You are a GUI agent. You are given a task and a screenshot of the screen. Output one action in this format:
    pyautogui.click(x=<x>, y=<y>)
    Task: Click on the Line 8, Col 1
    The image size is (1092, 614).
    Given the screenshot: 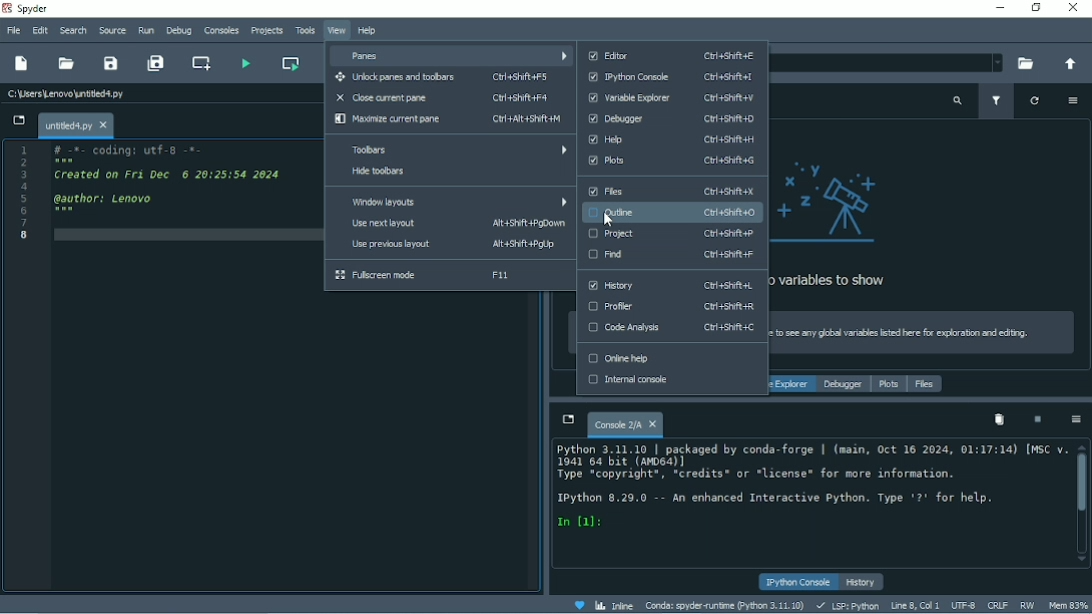 What is the action you would take?
    pyautogui.click(x=916, y=604)
    